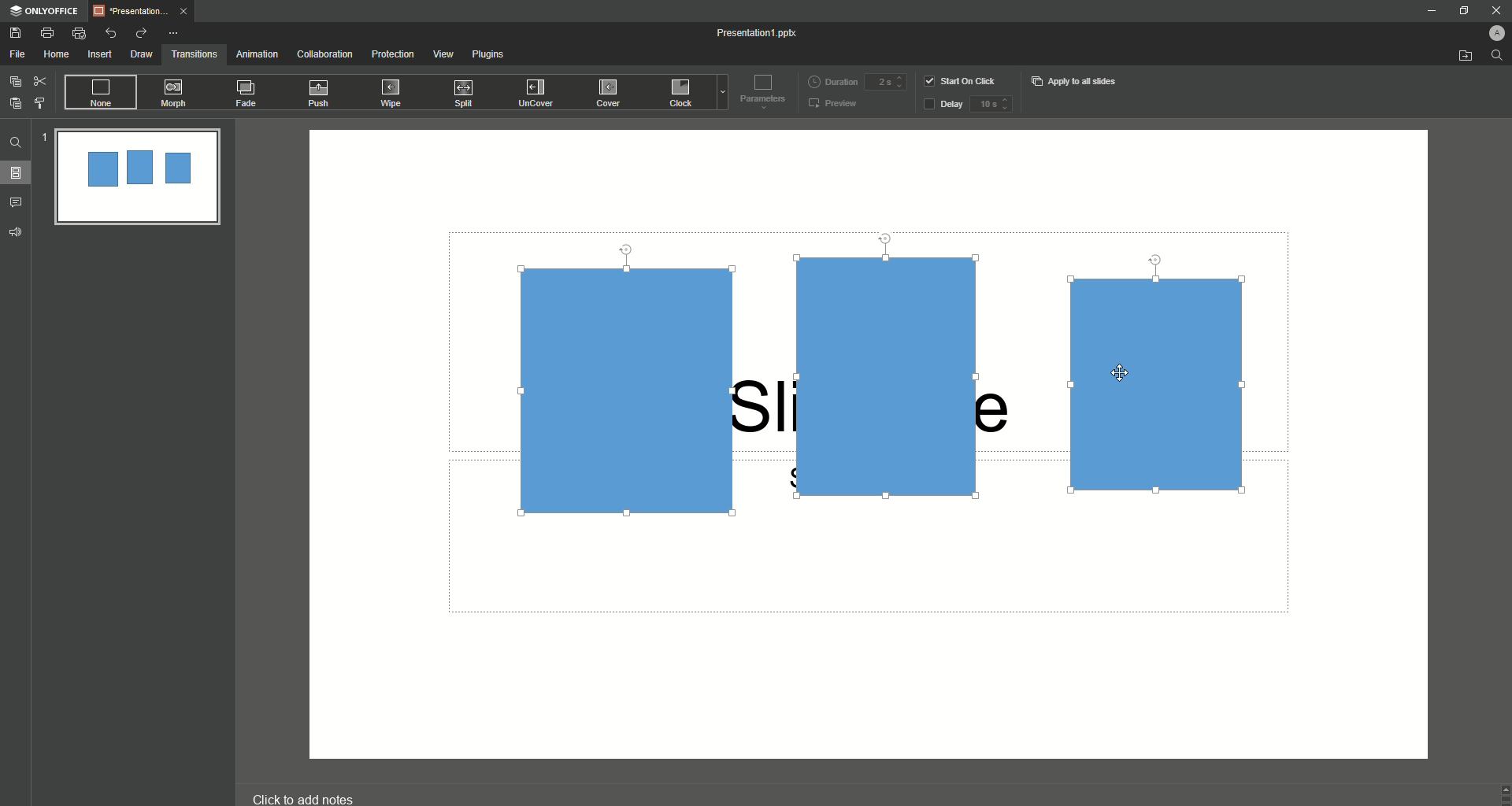 The image size is (1512, 806). Describe the element at coordinates (247, 96) in the screenshot. I see `Fade` at that location.